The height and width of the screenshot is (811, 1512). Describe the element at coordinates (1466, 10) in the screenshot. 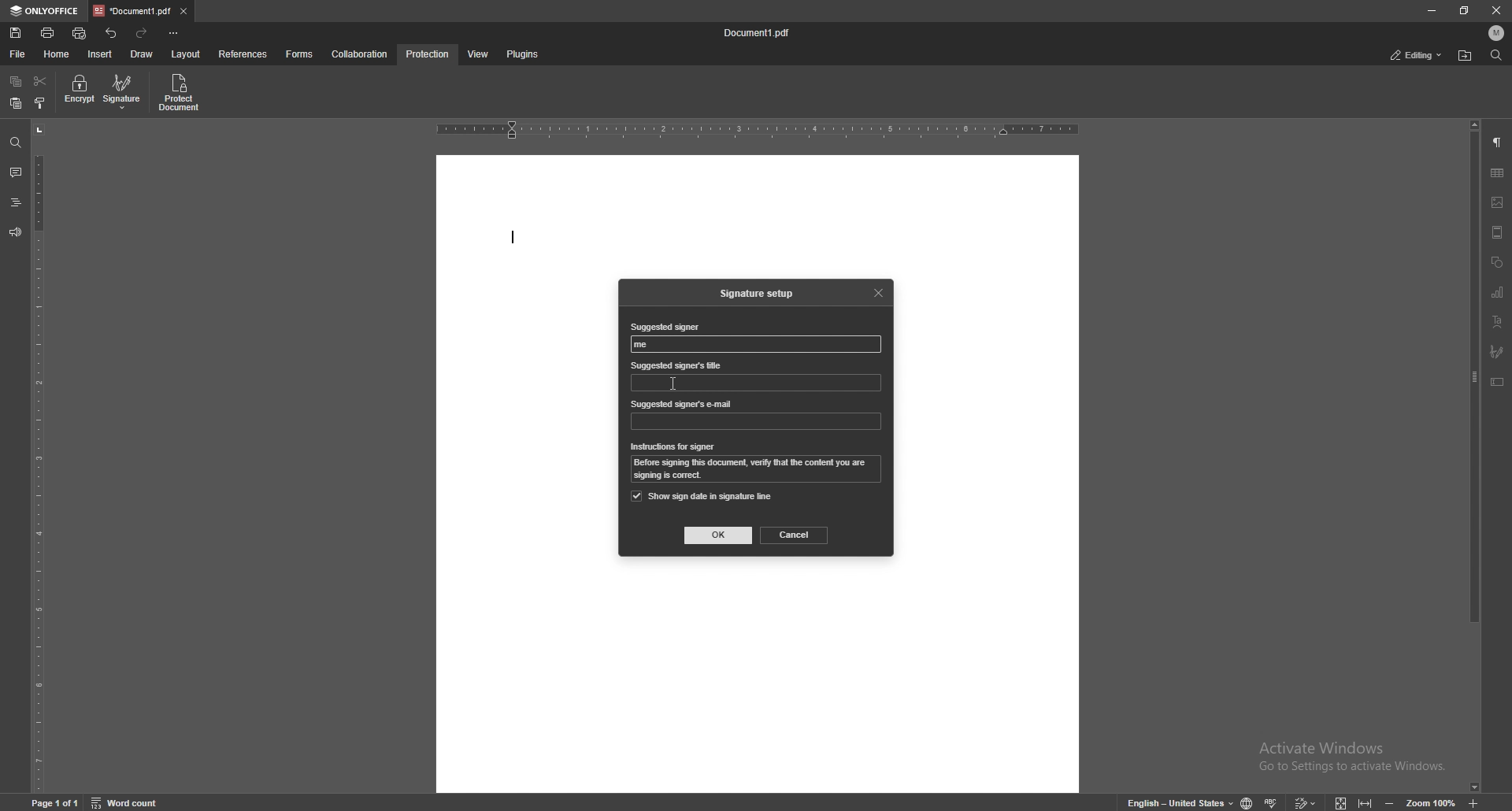

I see `resize` at that location.